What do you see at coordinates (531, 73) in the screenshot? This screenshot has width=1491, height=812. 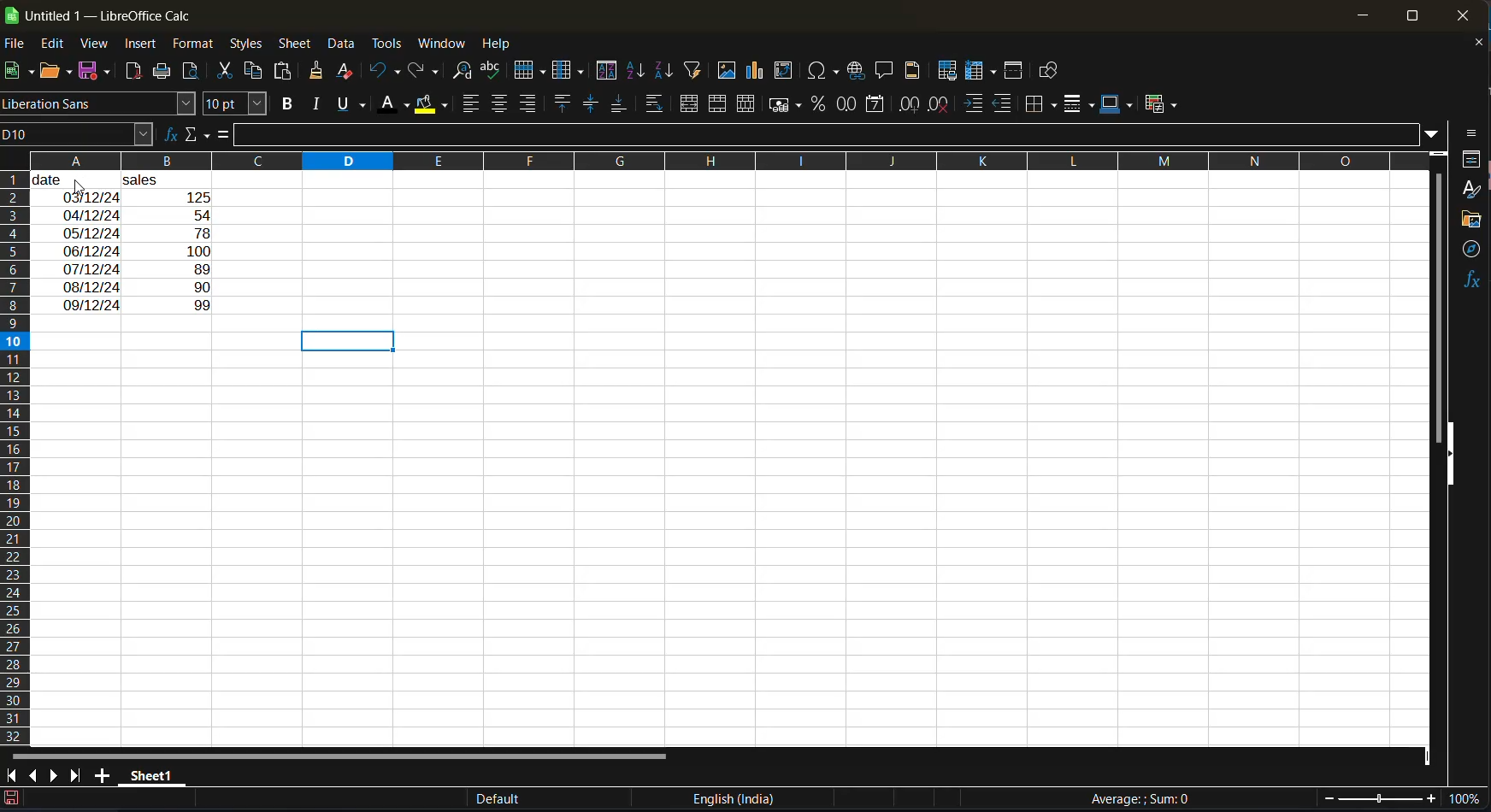 I see `row` at bounding box center [531, 73].